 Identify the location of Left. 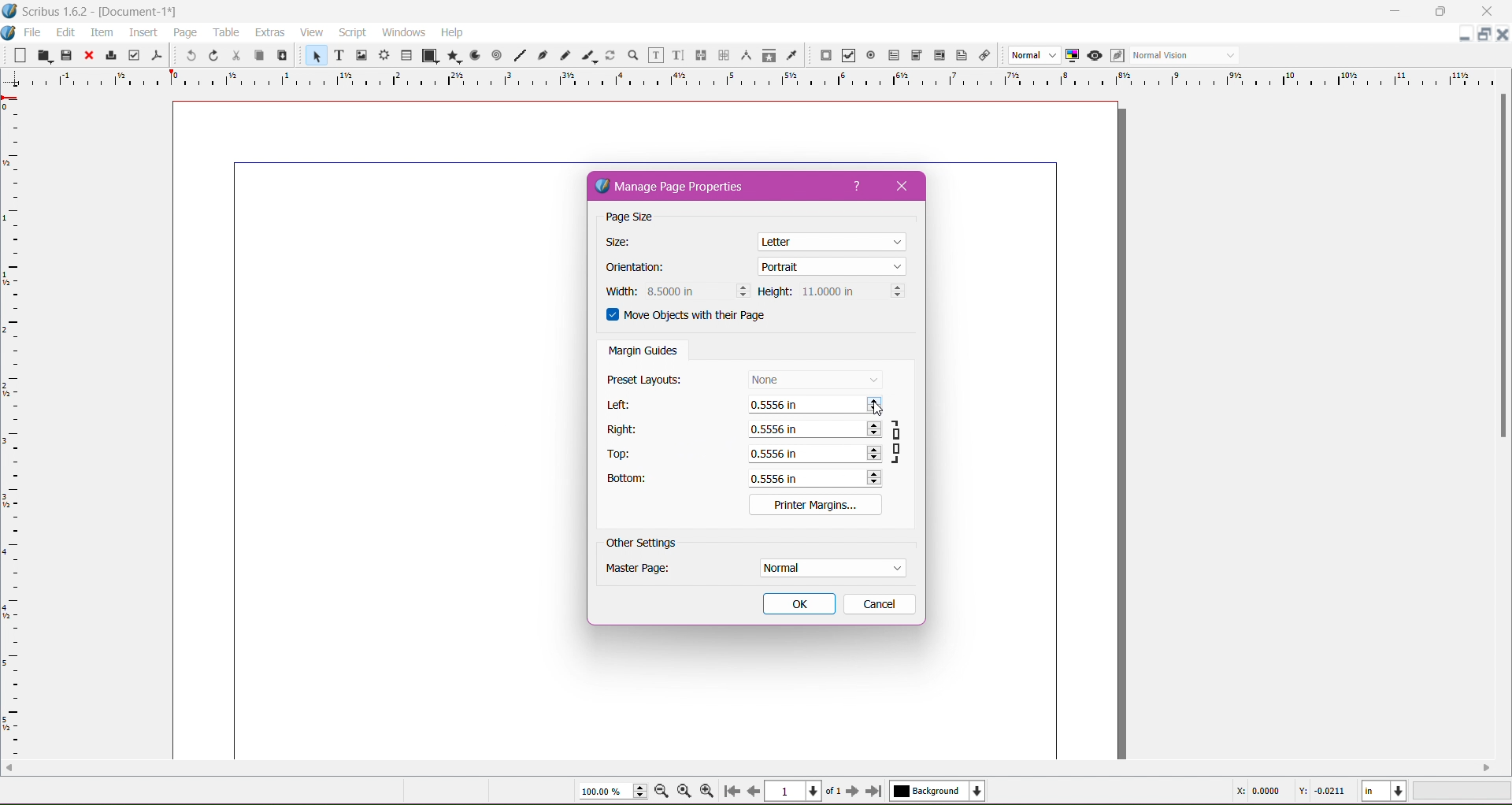
(621, 405).